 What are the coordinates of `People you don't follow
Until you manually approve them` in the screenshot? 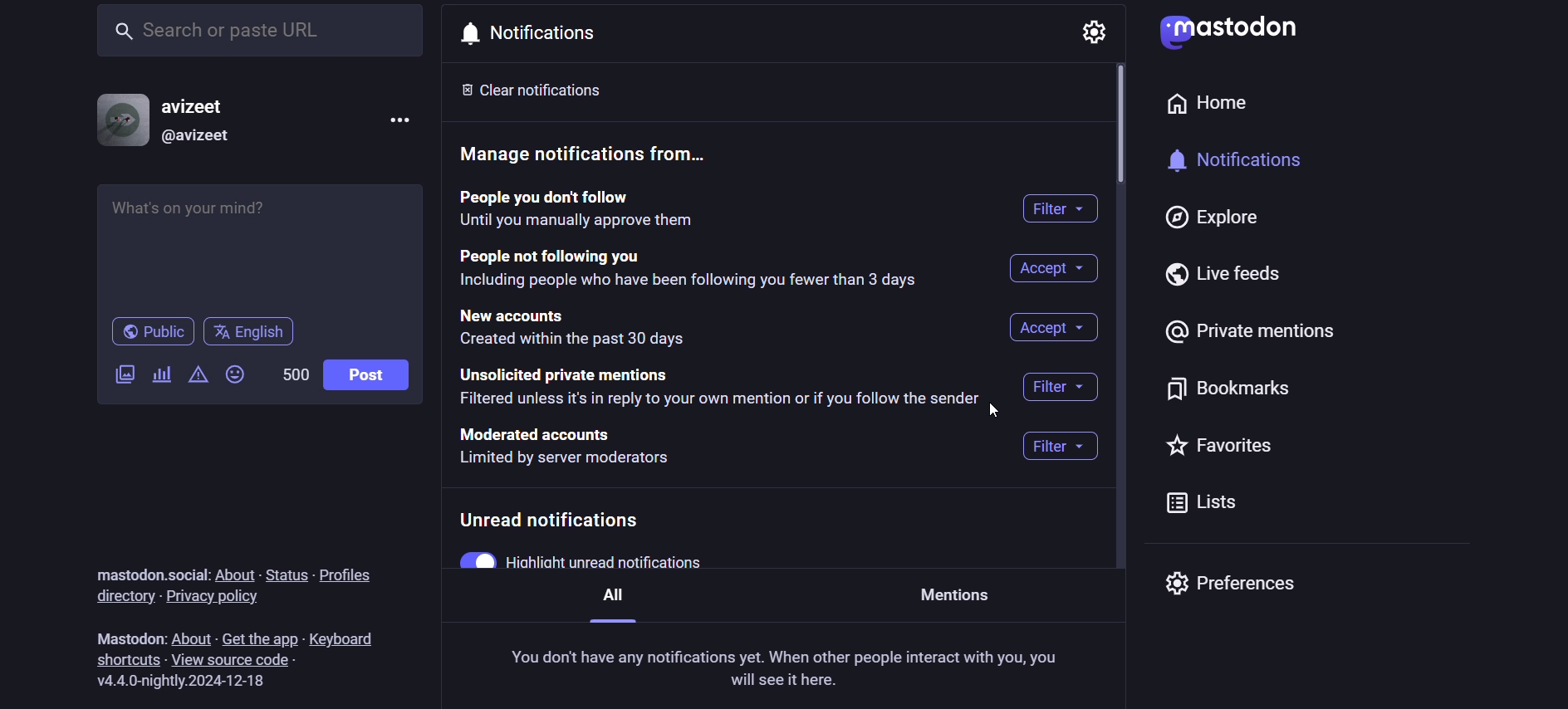 It's located at (625, 209).